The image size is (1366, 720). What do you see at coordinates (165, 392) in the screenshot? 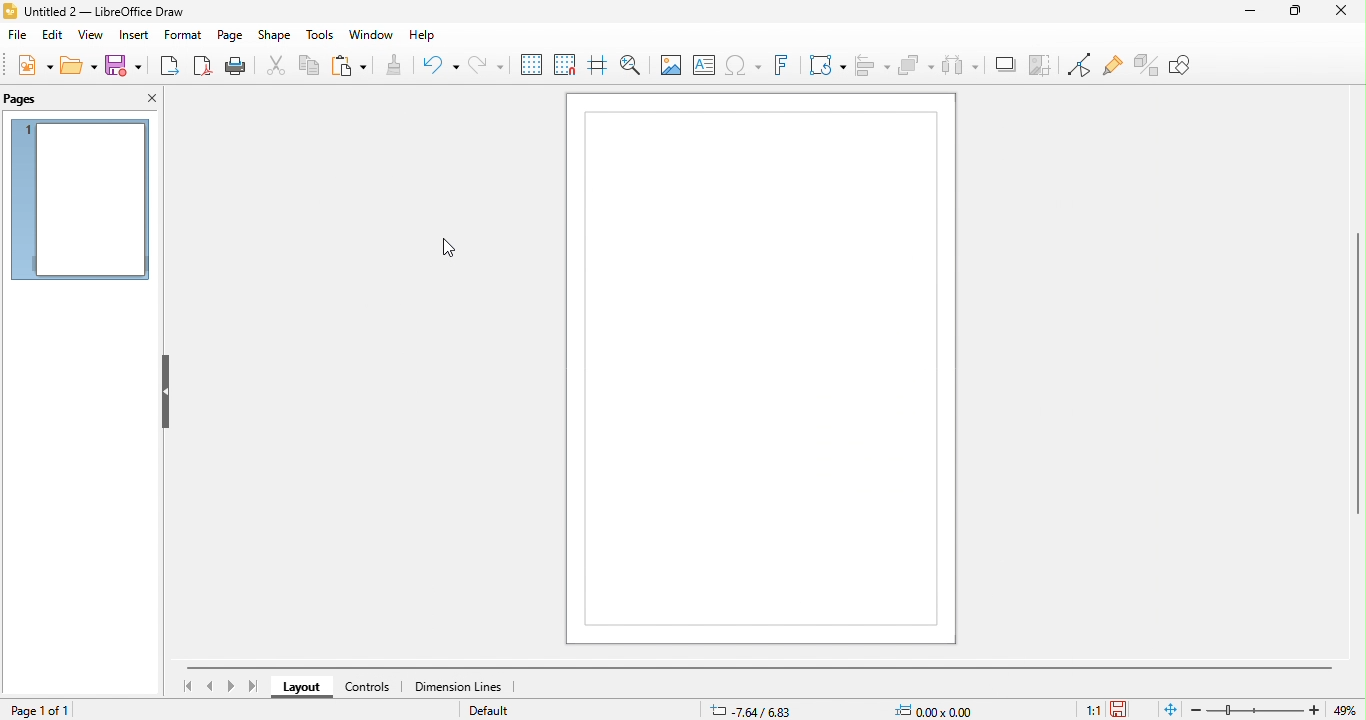
I see `hide` at bounding box center [165, 392].